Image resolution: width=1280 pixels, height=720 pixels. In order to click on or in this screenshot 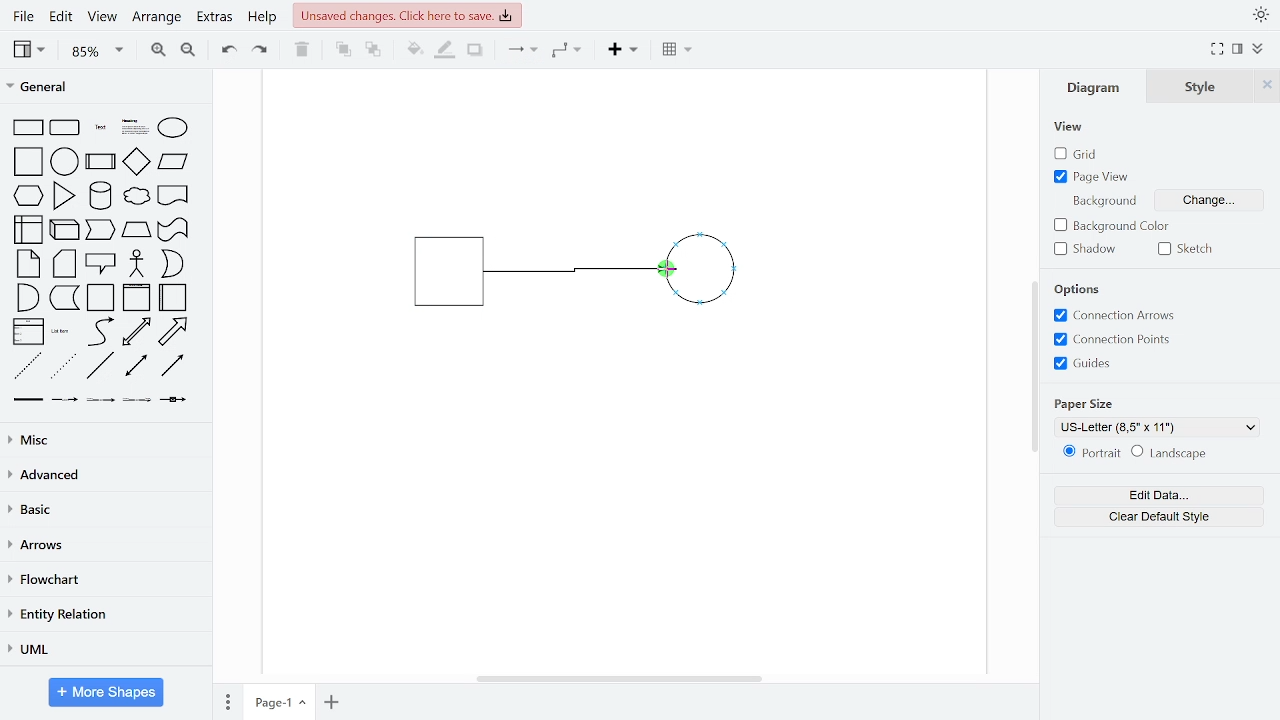, I will do `click(172, 264)`.